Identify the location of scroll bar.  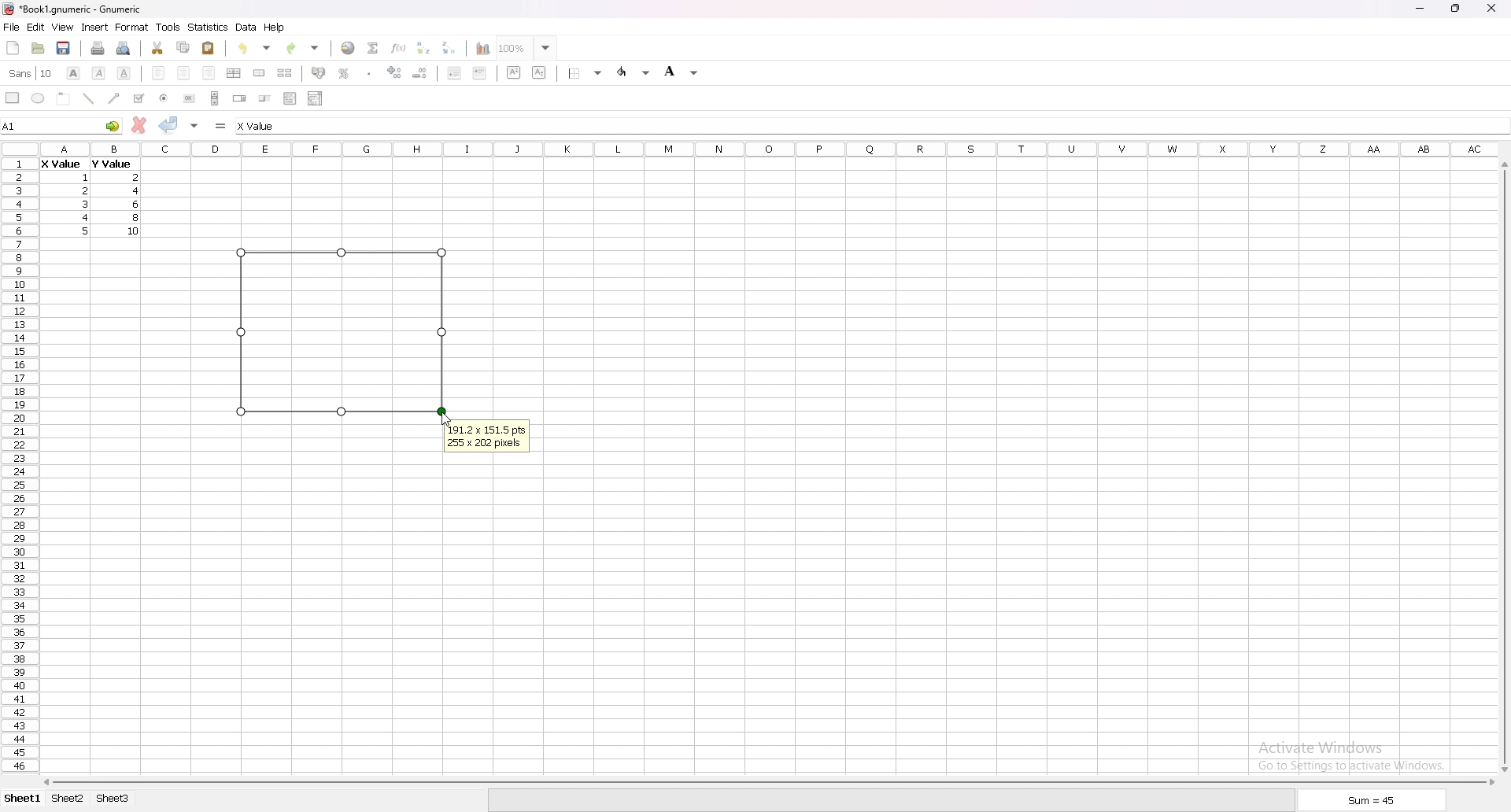
(215, 98).